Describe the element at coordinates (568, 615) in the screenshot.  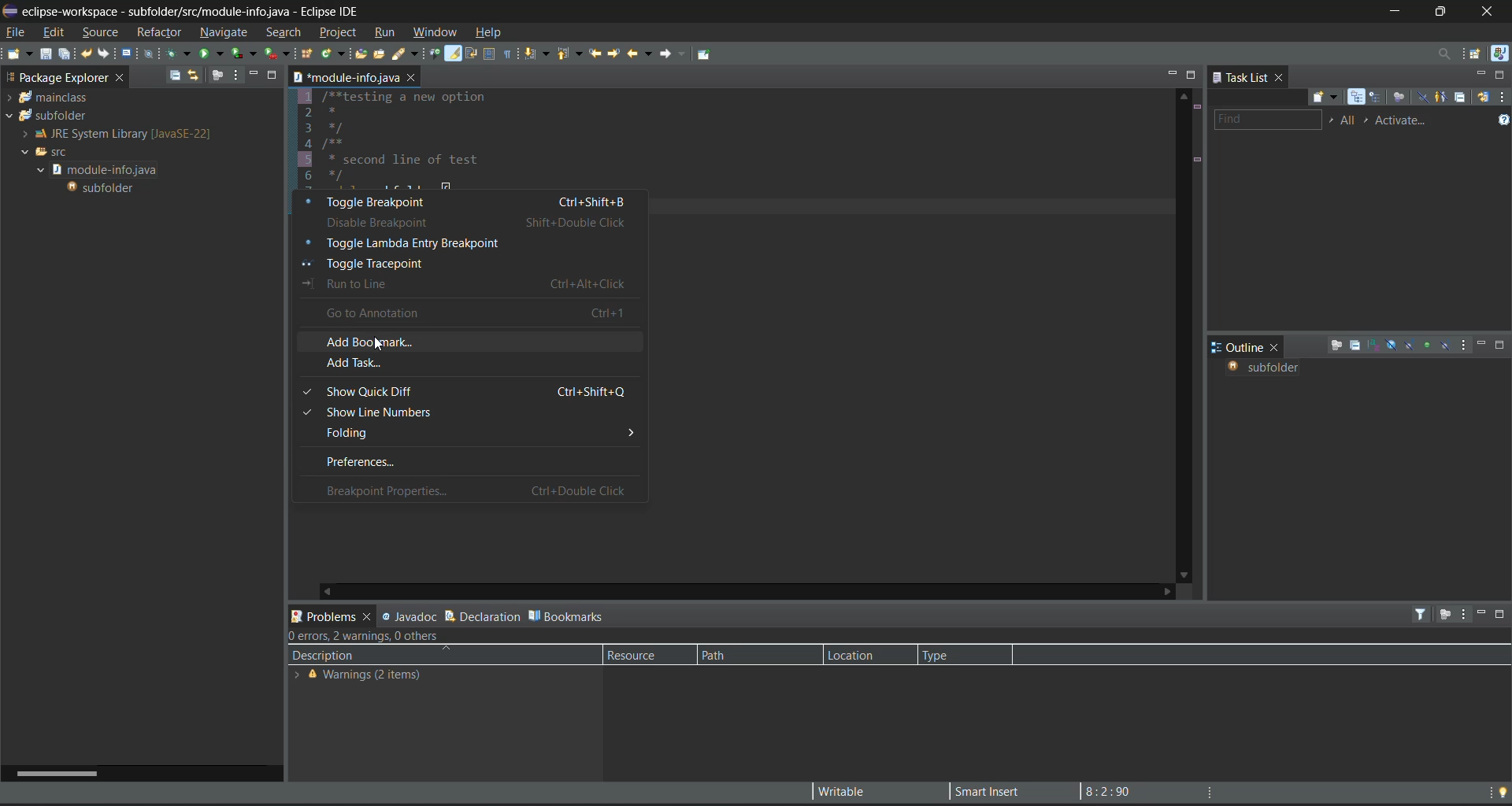
I see `bookmarks` at that location.